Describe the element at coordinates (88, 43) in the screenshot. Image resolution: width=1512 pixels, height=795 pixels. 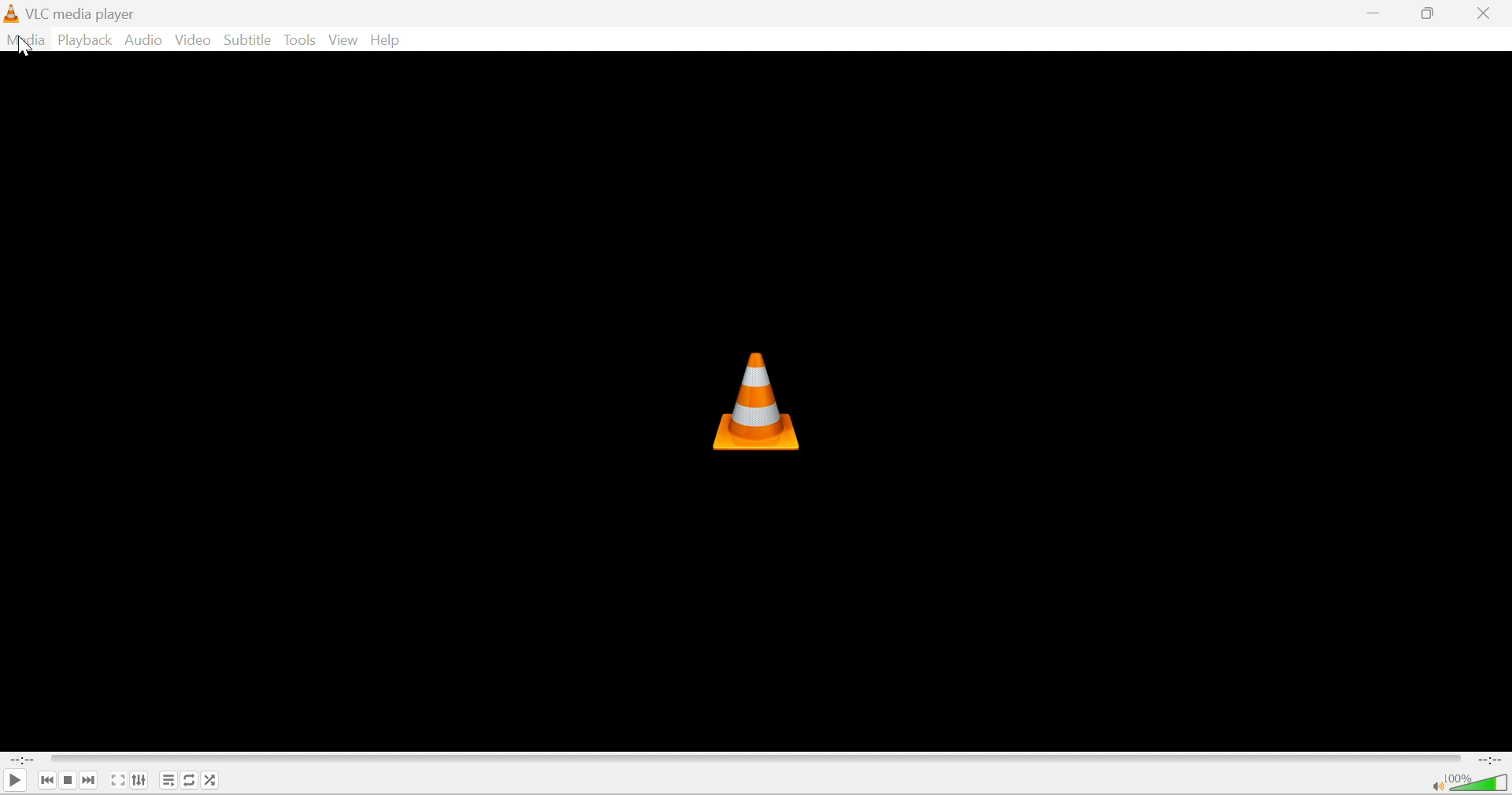
I see `Playback` at that location.